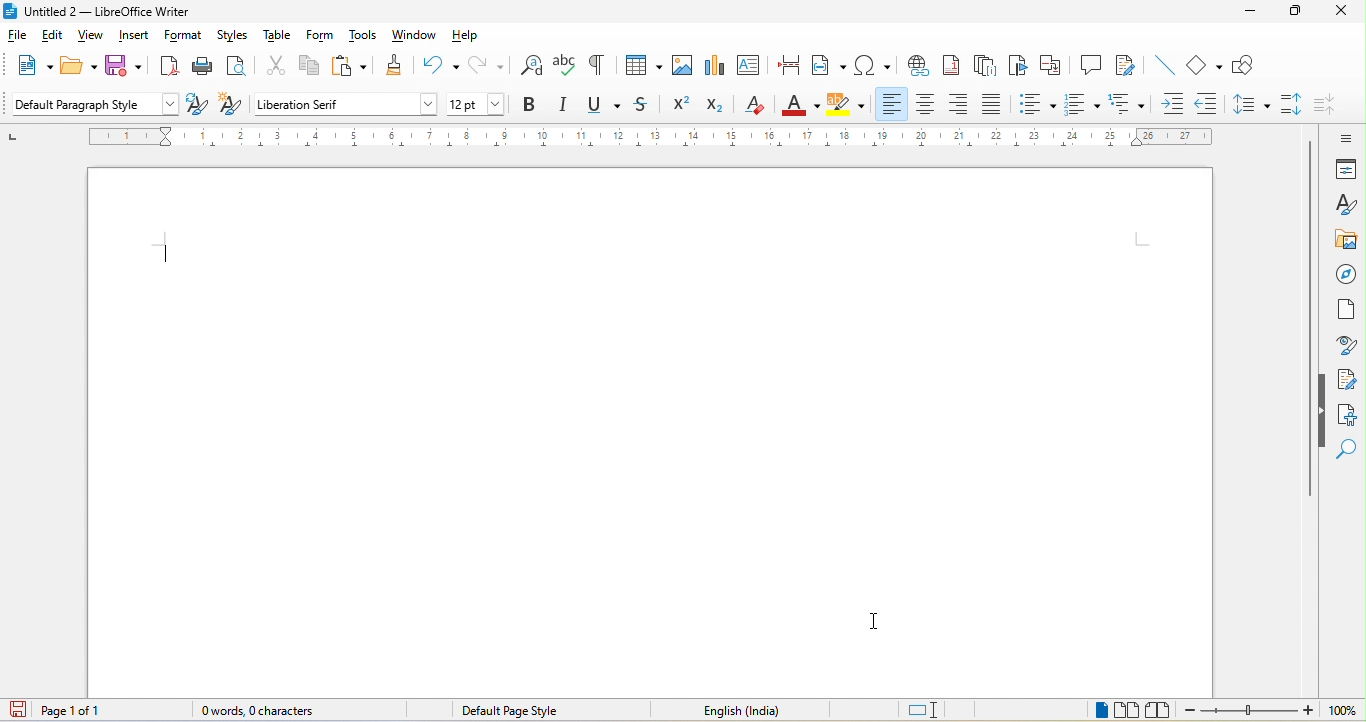 This screenshot has width=1366, height=722. What do you see at coordinates (470, 36) in the screenshot?
I see `help` at bounding box center [470, 36].